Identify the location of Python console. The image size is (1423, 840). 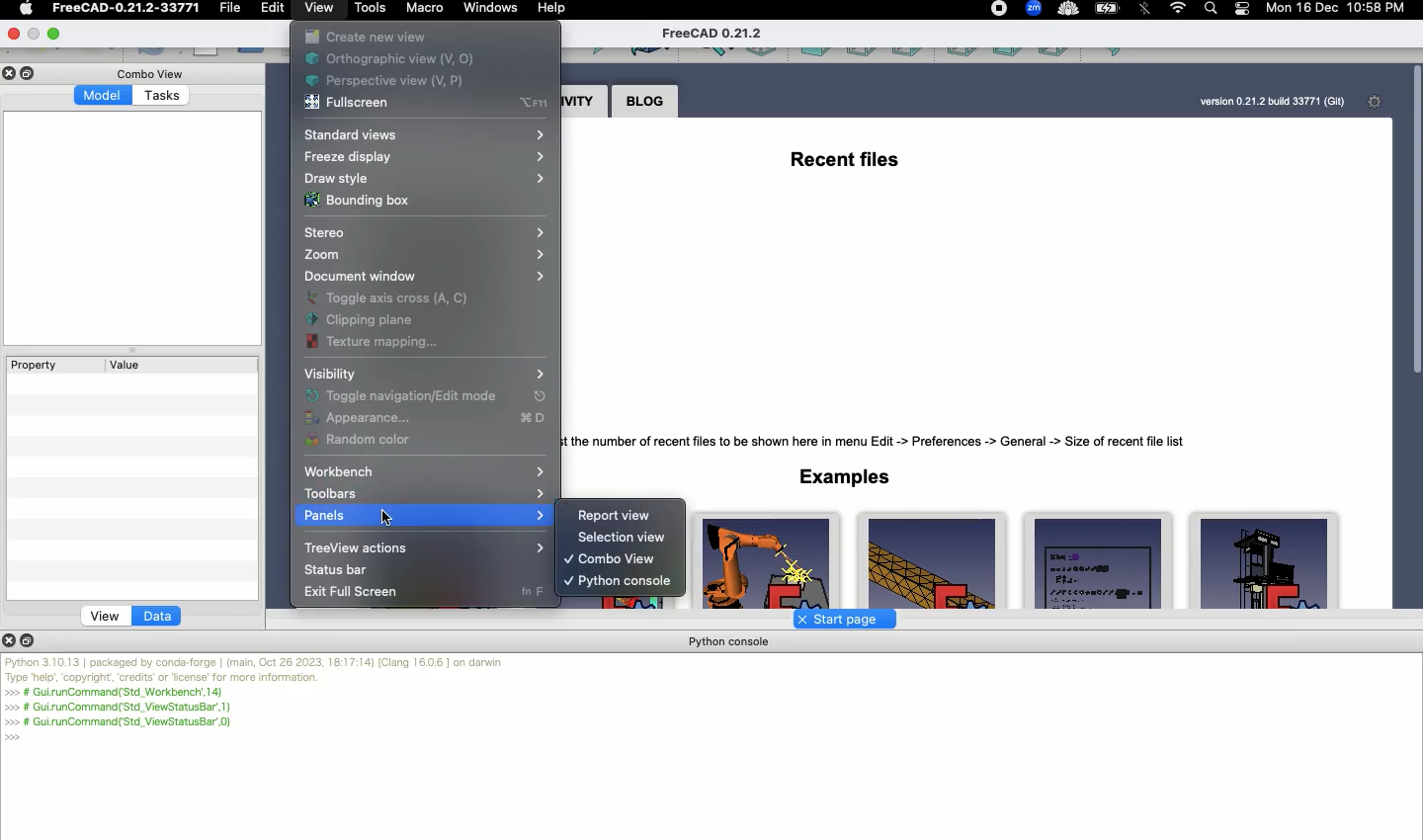
(620, 583).